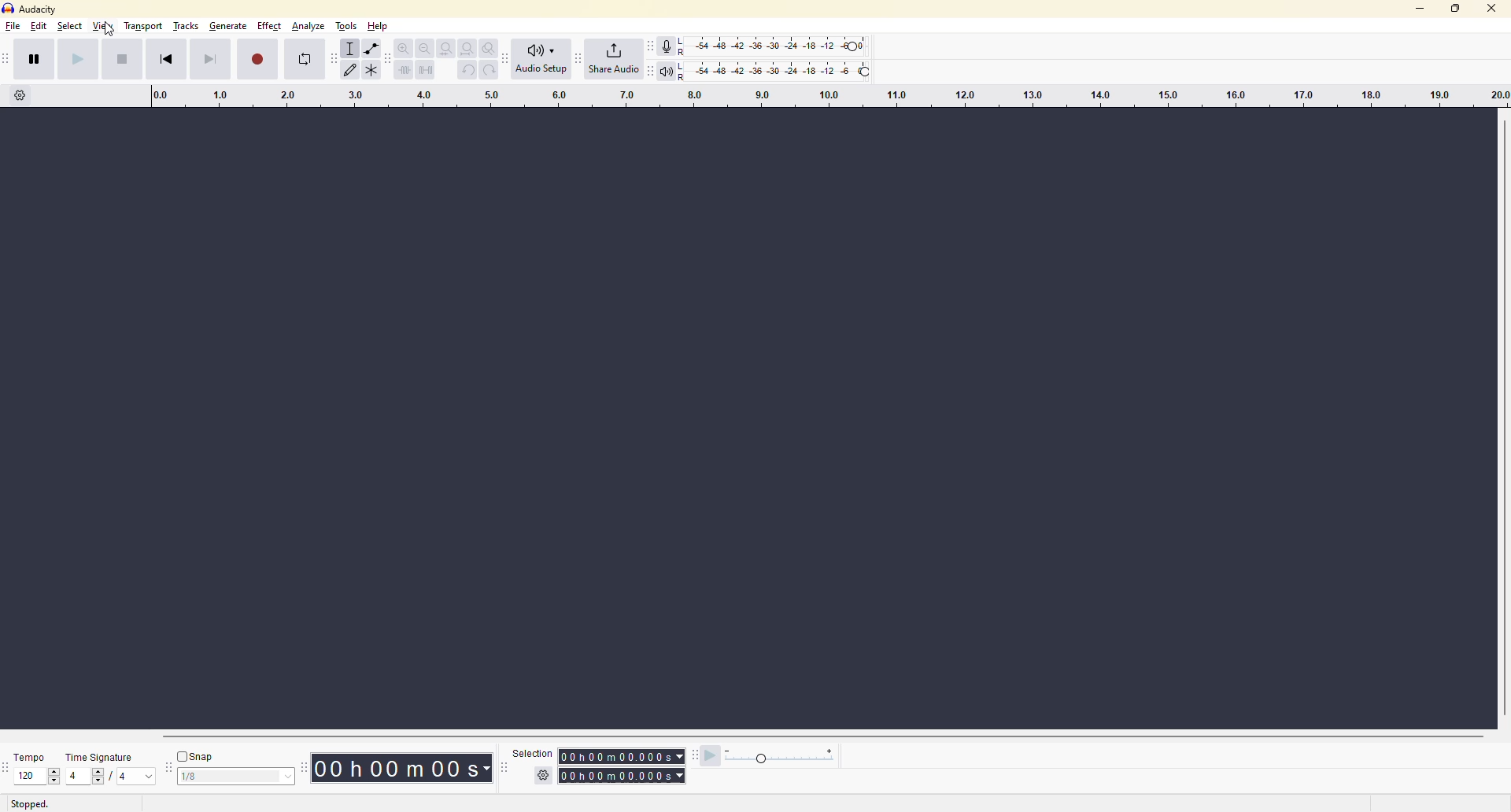 This screenshot has width=1511, height=812. I want to click on envelop tool, so click(375, 50).